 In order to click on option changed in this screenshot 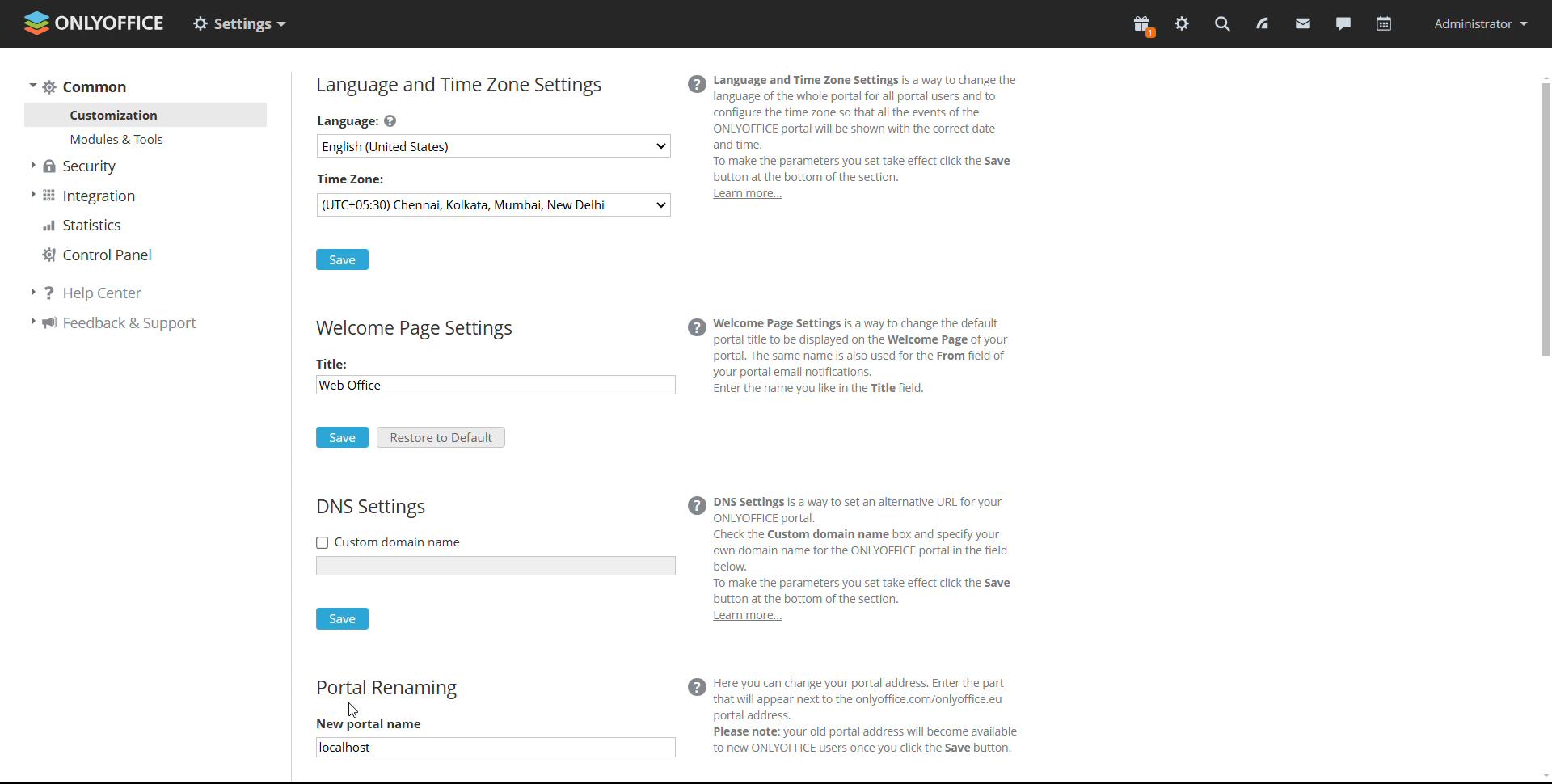, I will do `click(239, 23)`.